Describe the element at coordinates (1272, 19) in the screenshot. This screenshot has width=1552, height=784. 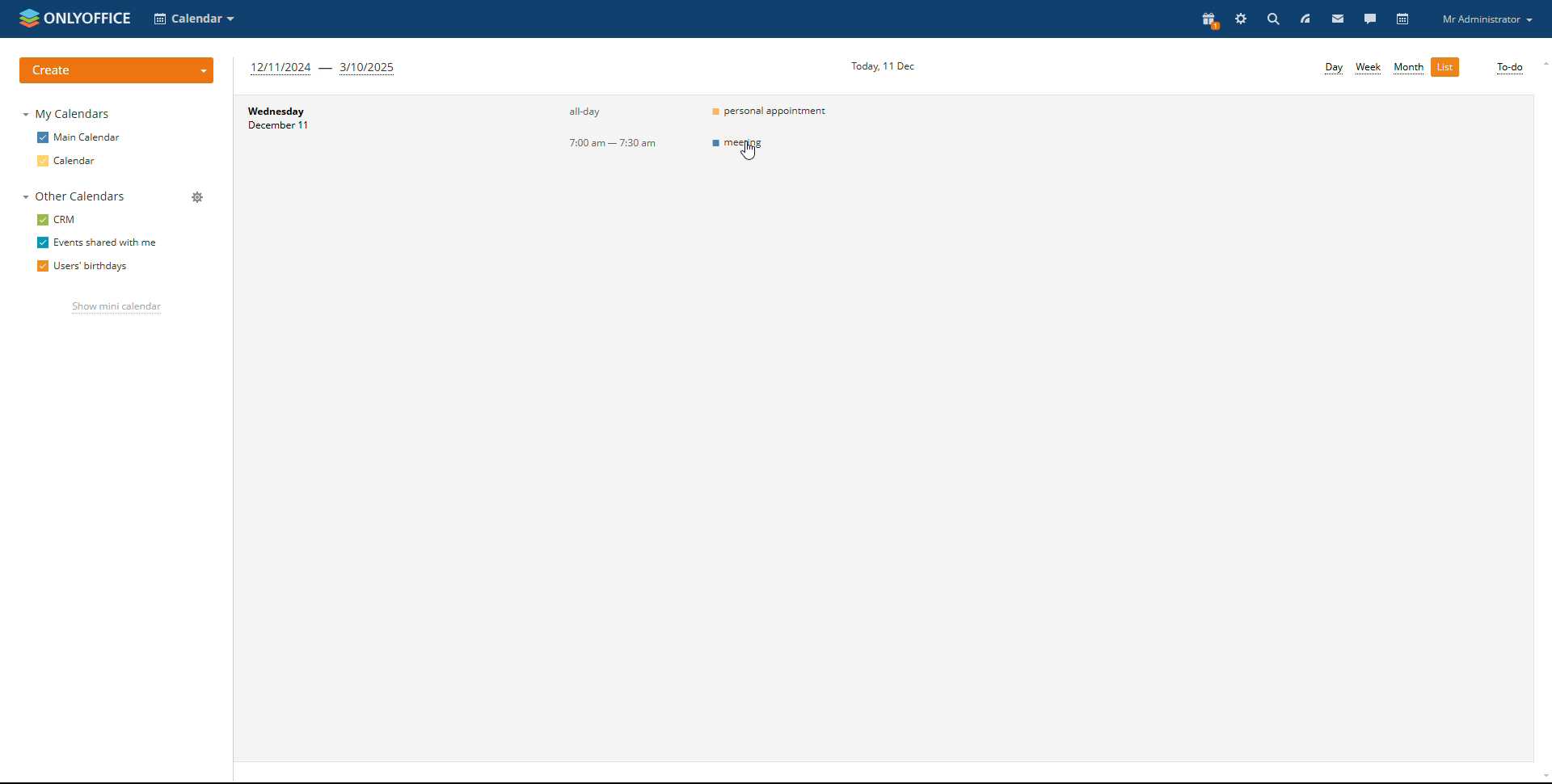
I see `search` at that location.